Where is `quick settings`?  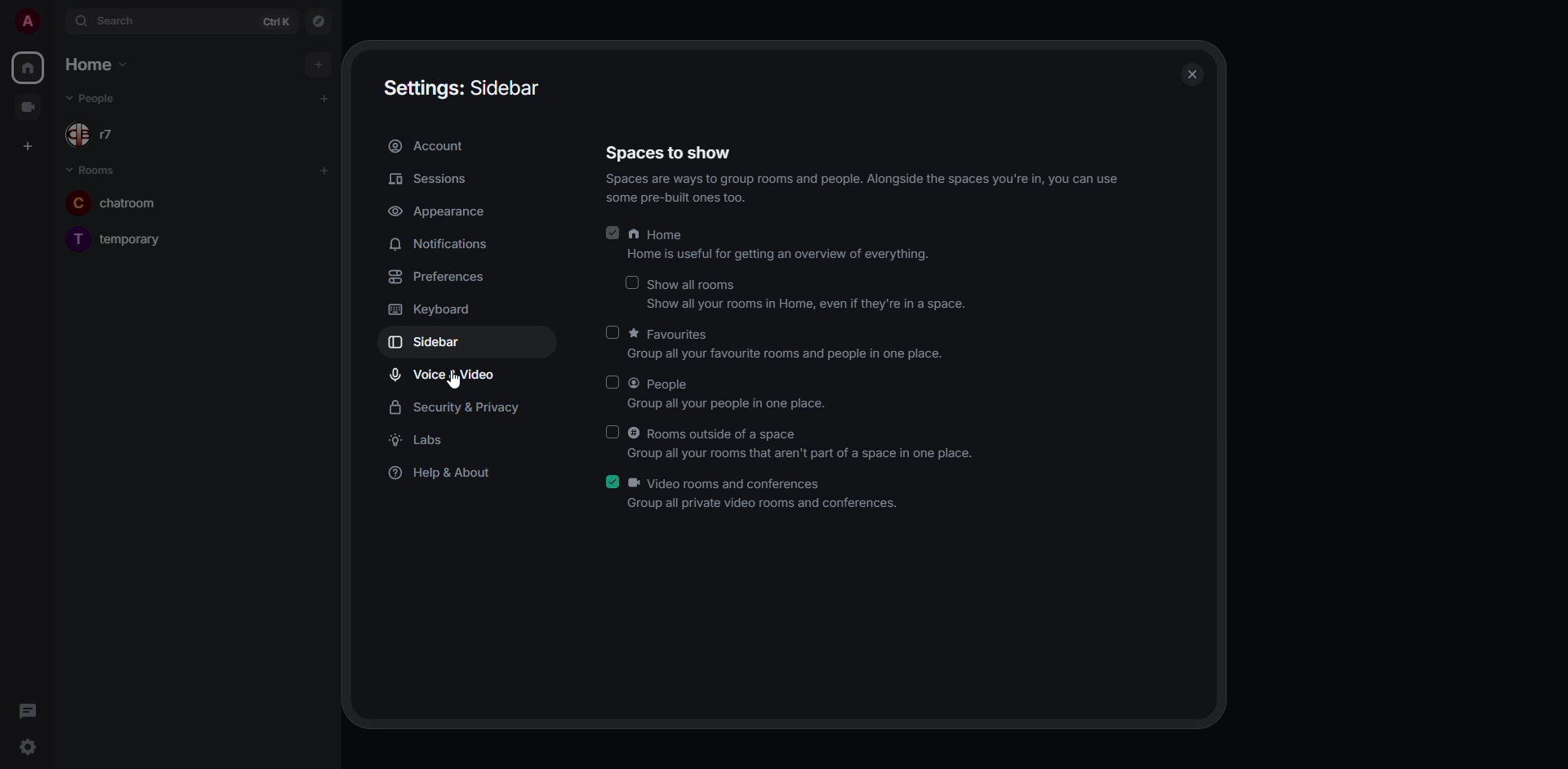
quick settings is located at coordinates (28, 747).